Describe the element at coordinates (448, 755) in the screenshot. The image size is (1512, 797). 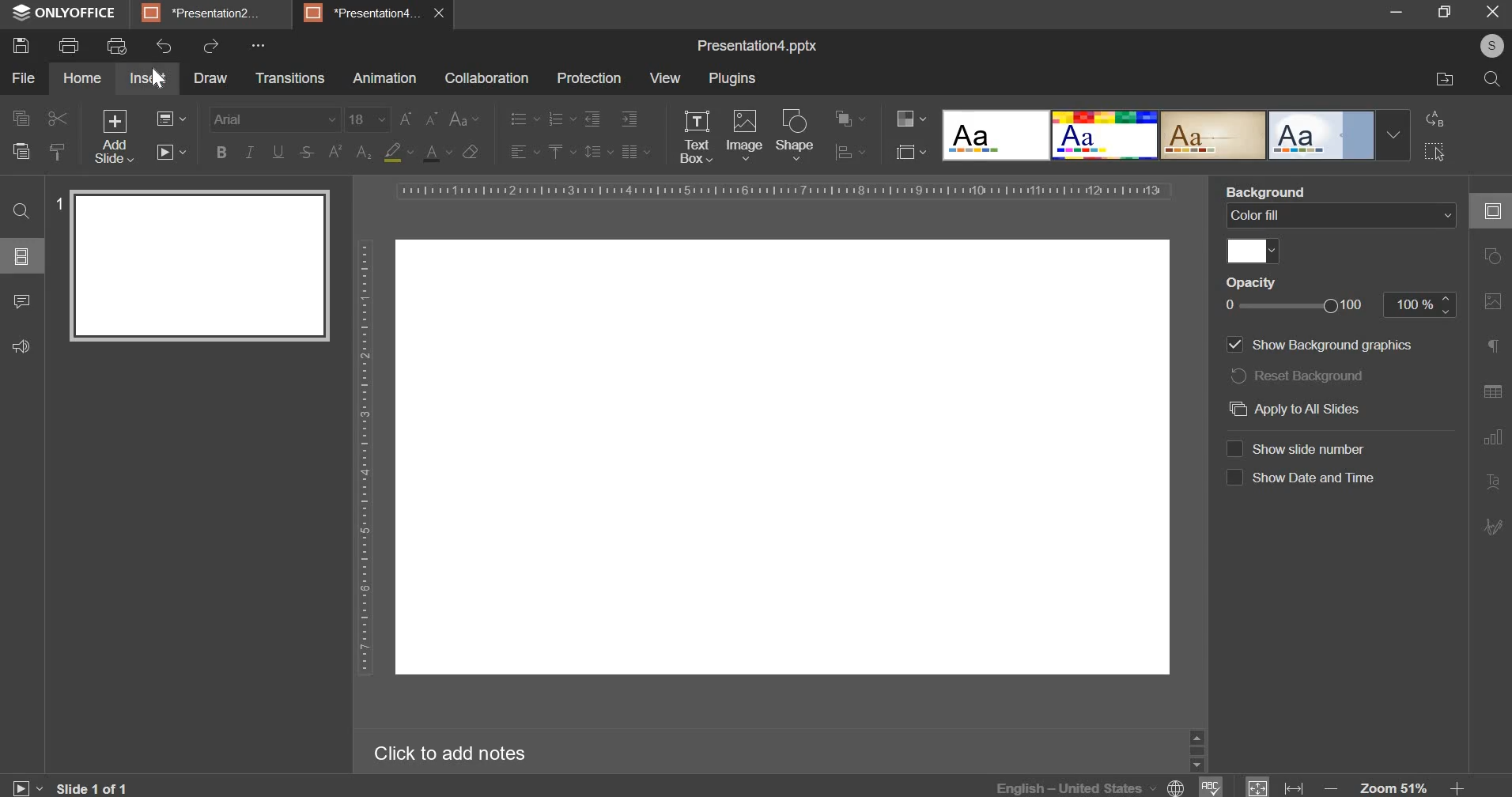
I see `click to add notes` at that location.